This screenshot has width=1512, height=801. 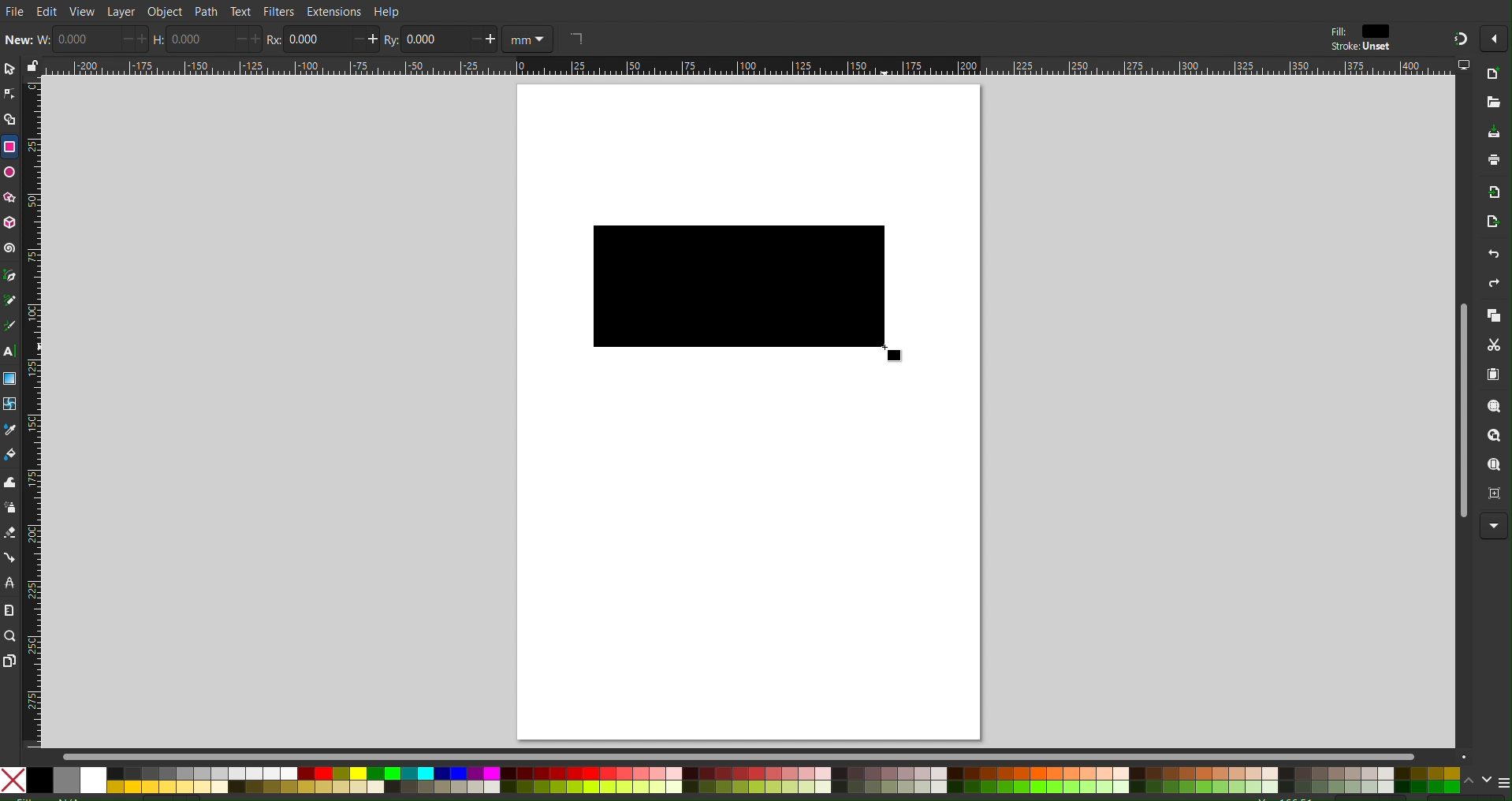 I want to click on Paste, so click(x=1495, y=376).